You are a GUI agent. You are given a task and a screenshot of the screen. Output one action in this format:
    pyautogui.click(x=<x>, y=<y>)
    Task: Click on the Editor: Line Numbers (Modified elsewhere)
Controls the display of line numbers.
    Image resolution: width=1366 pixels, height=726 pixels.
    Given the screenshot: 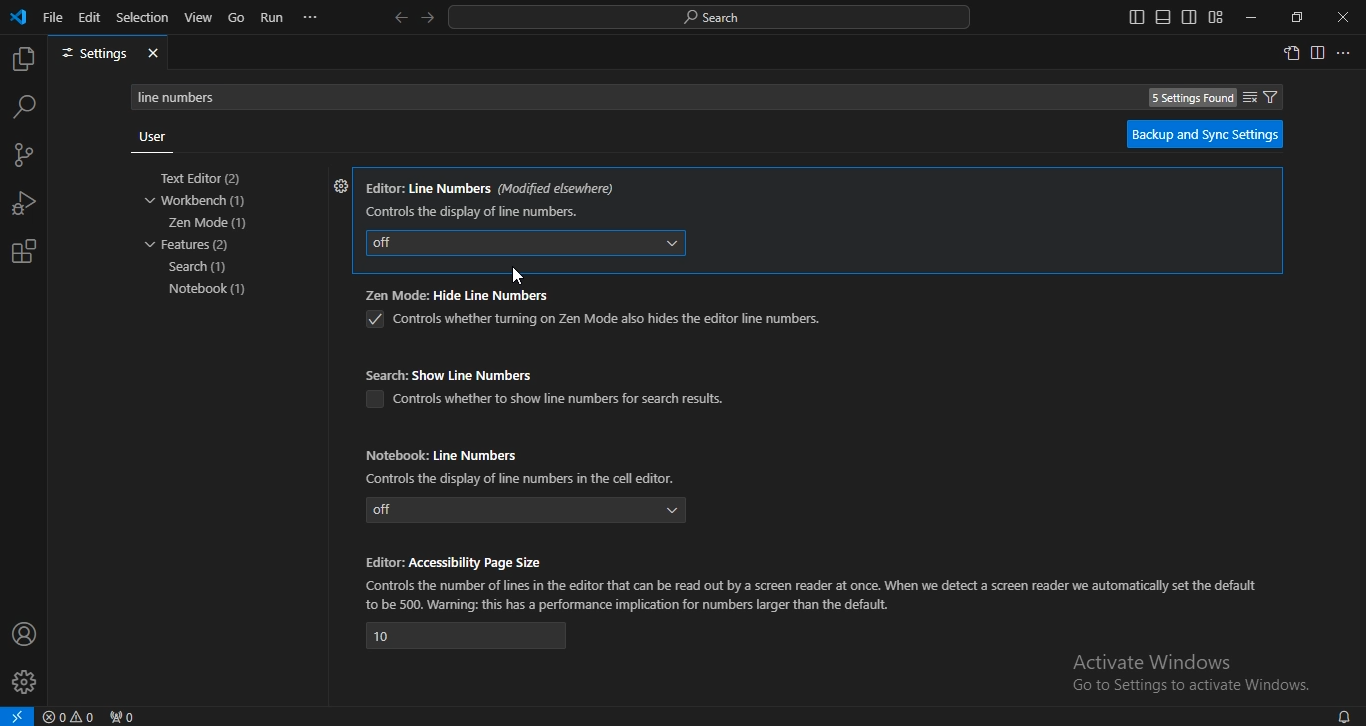 What is the action you would take?
    pyautogui.click(x=492, y=197)
    